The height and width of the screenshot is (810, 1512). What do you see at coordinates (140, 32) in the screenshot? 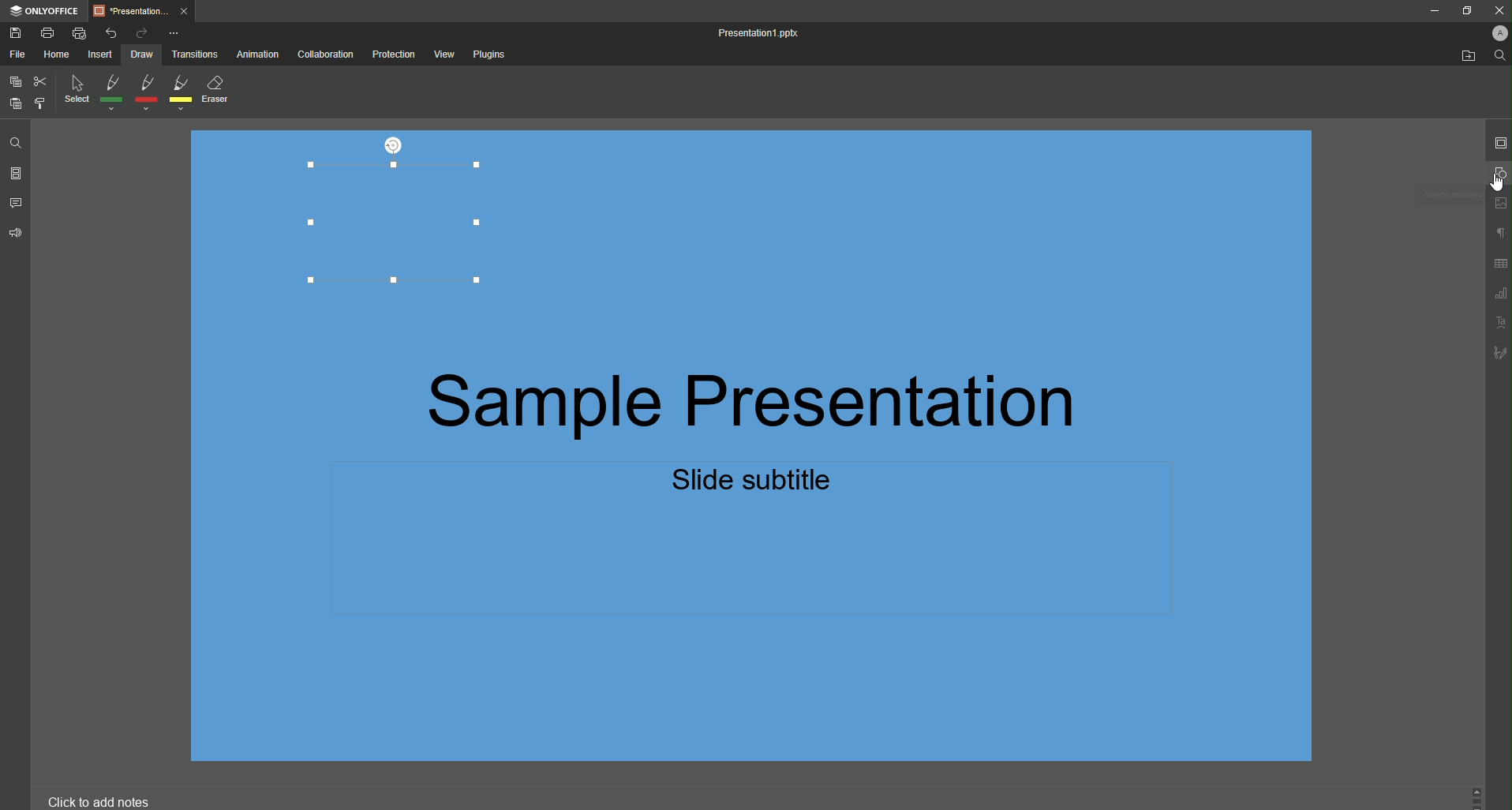
I see `Redo` at bounding box center [140, 32].